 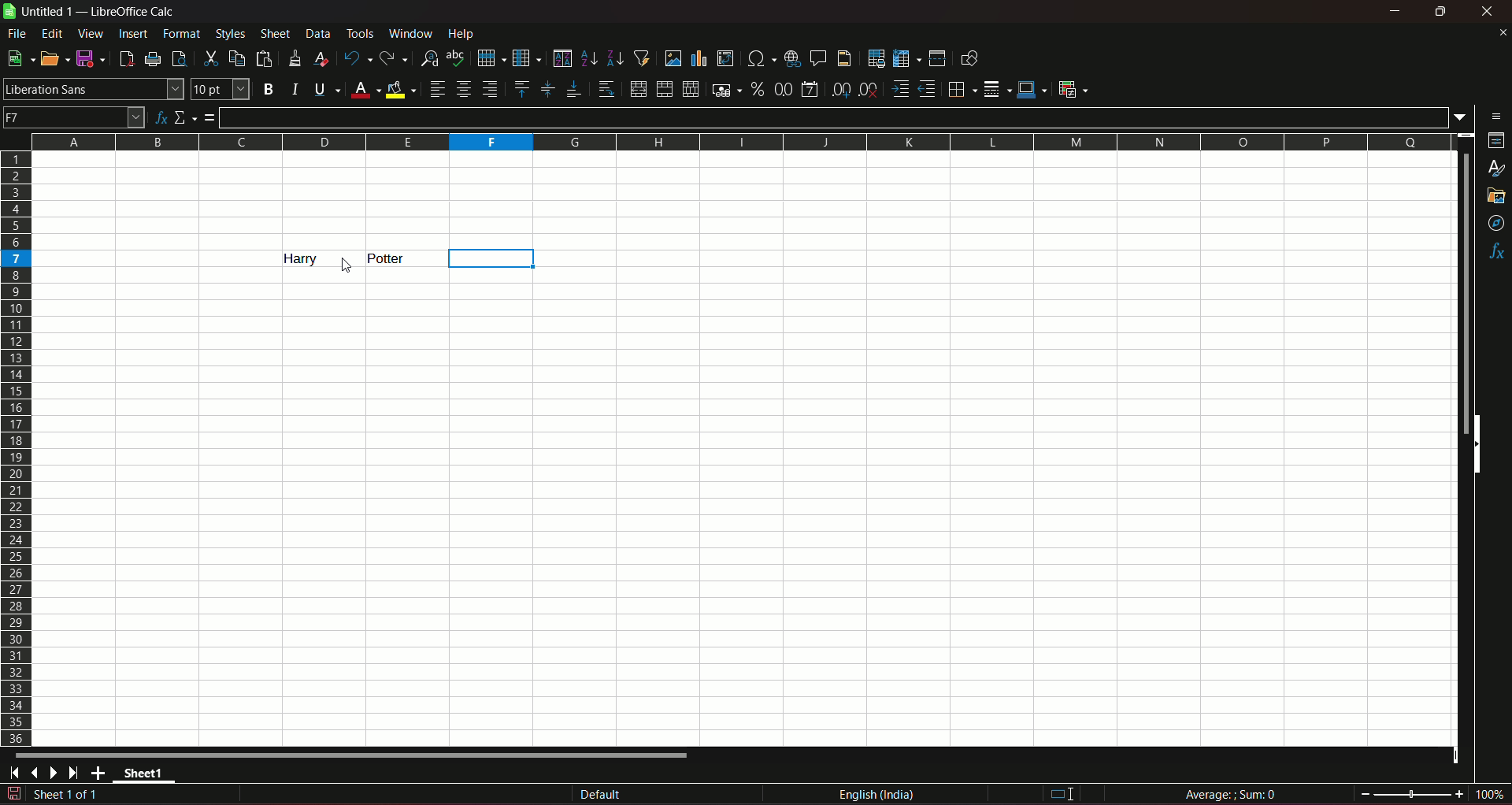 What do you see at coordinates (525, 57) in the screenshot?
I see `column` at bounding box center [525, 57].